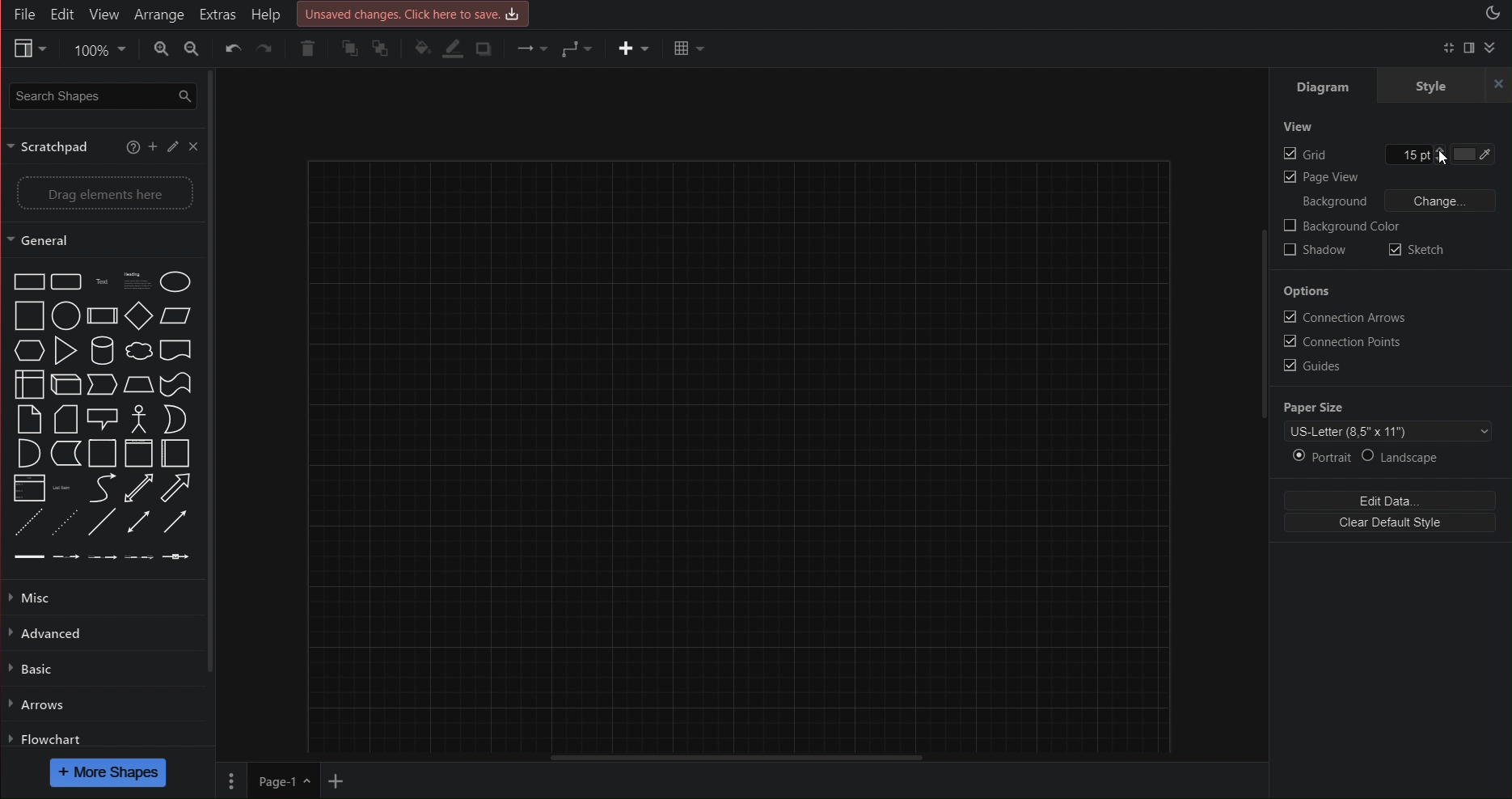  I want to click on Scrollbar, so click(213, 371).